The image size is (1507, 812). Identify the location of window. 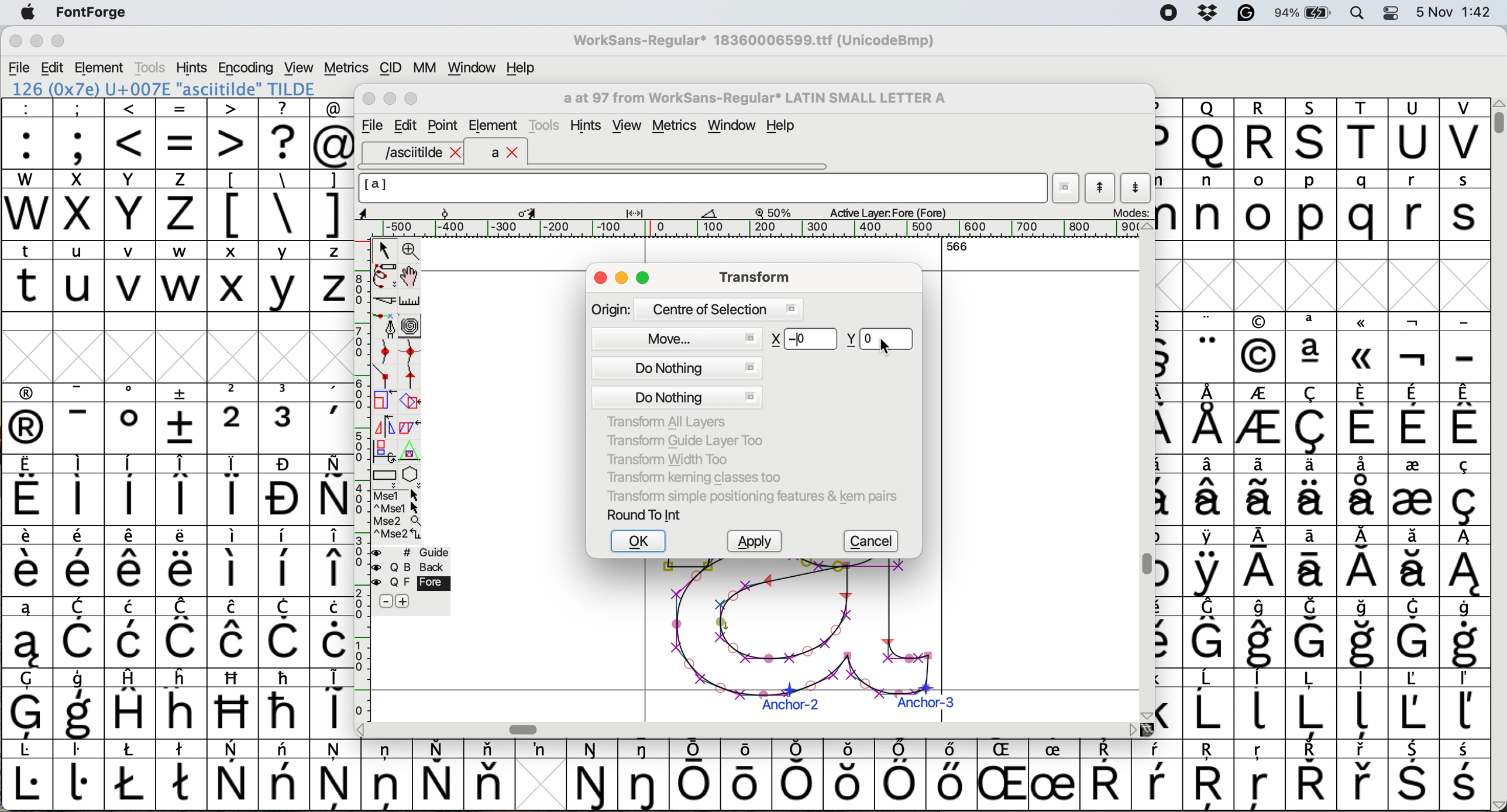
(734, 126).